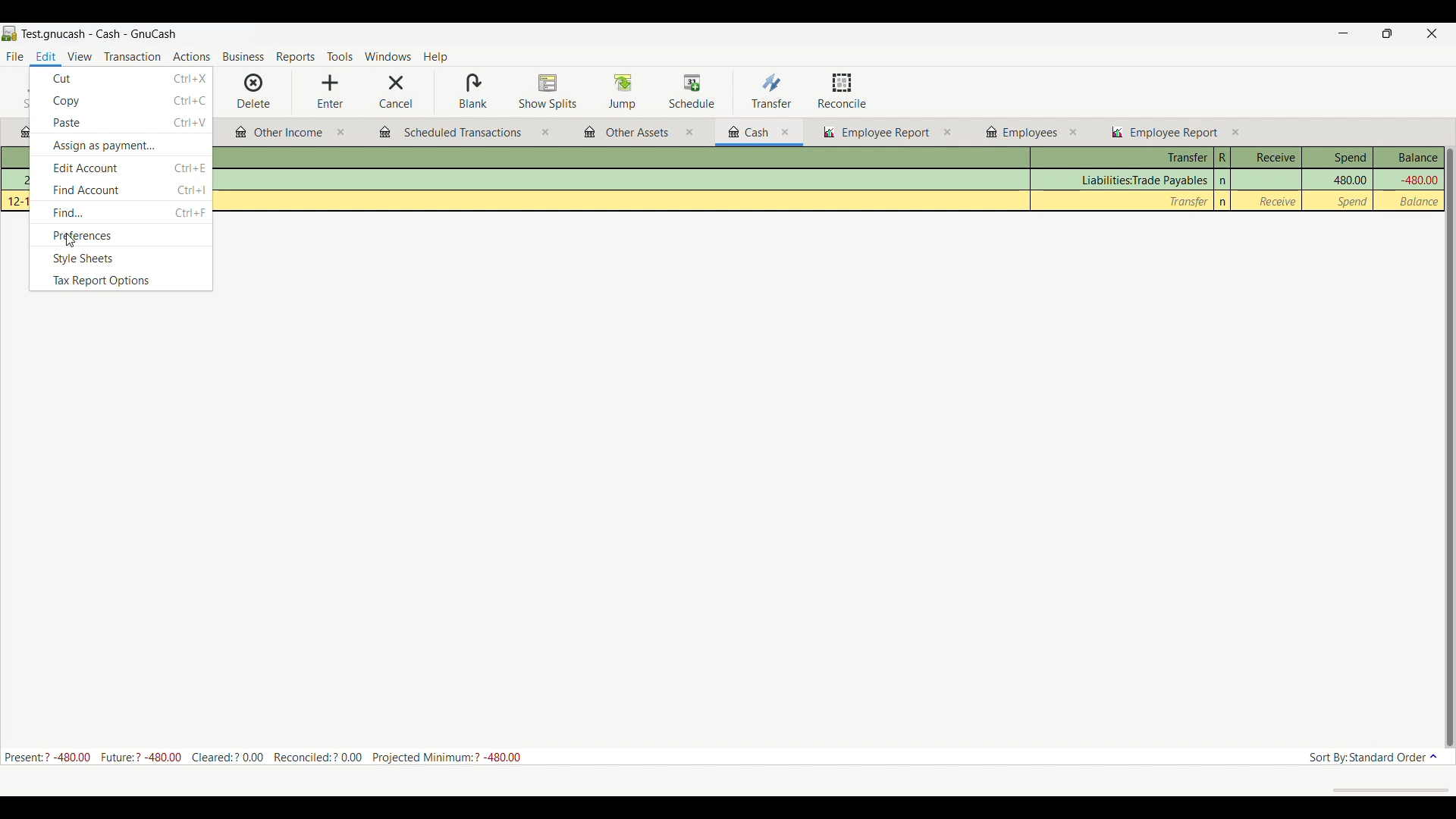 This screenshot has height=819, width=1456. Describe the element at coordinates (1354, 201) in the screenshot. I see `Spend column` at that location.